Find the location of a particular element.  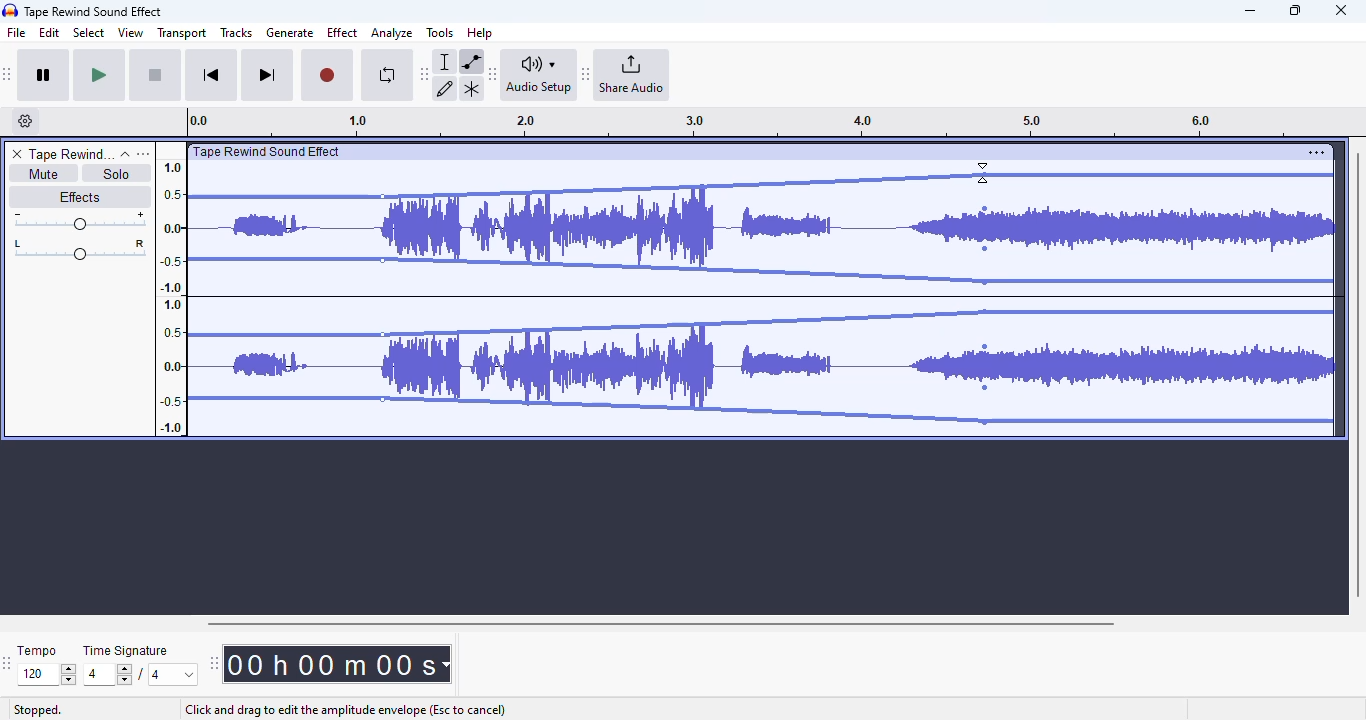

play is located at coordinates (99, 76).